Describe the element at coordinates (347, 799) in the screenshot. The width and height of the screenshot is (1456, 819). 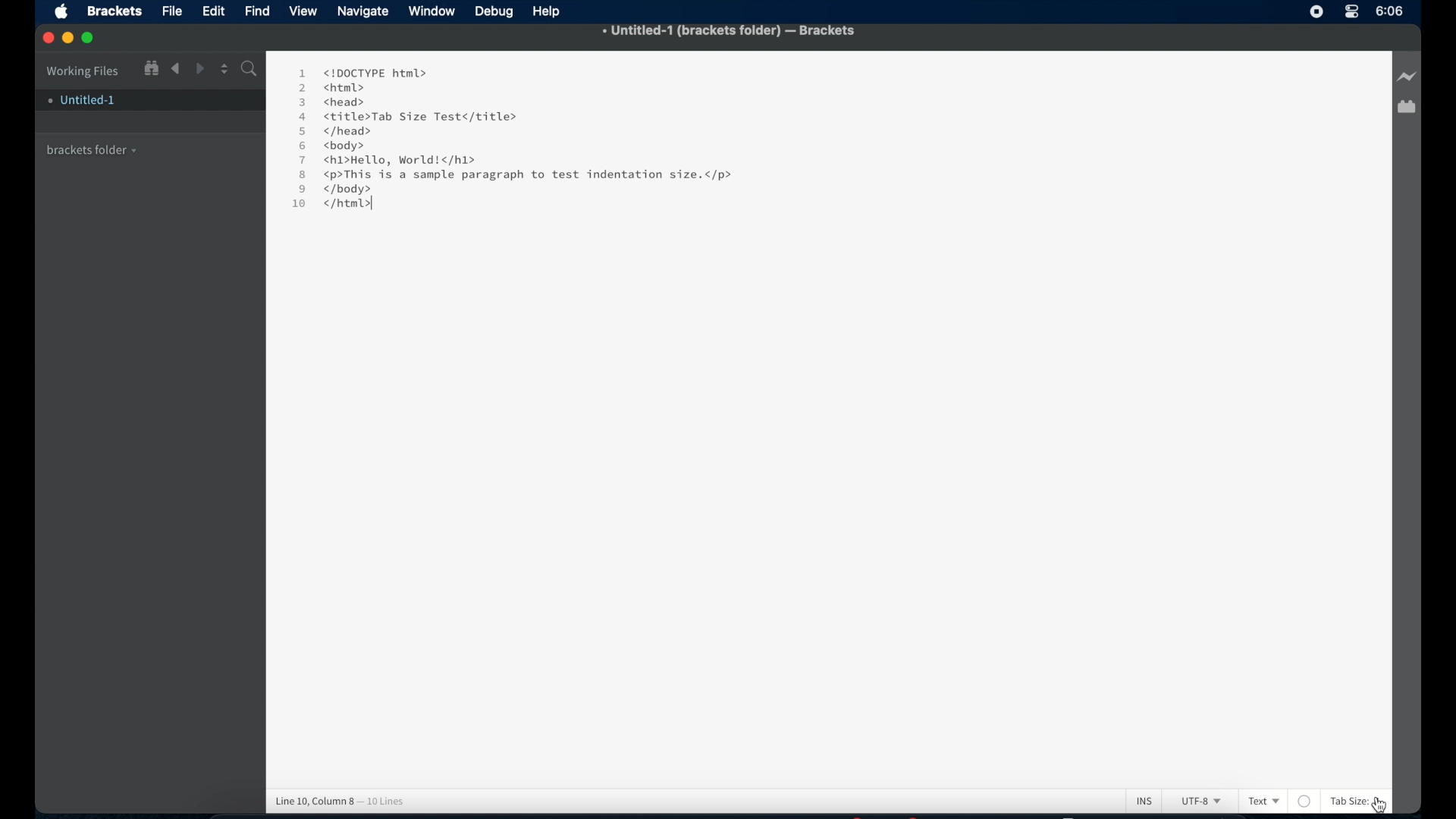
I see `Line 10, Column 8-10 Lines` at that location.